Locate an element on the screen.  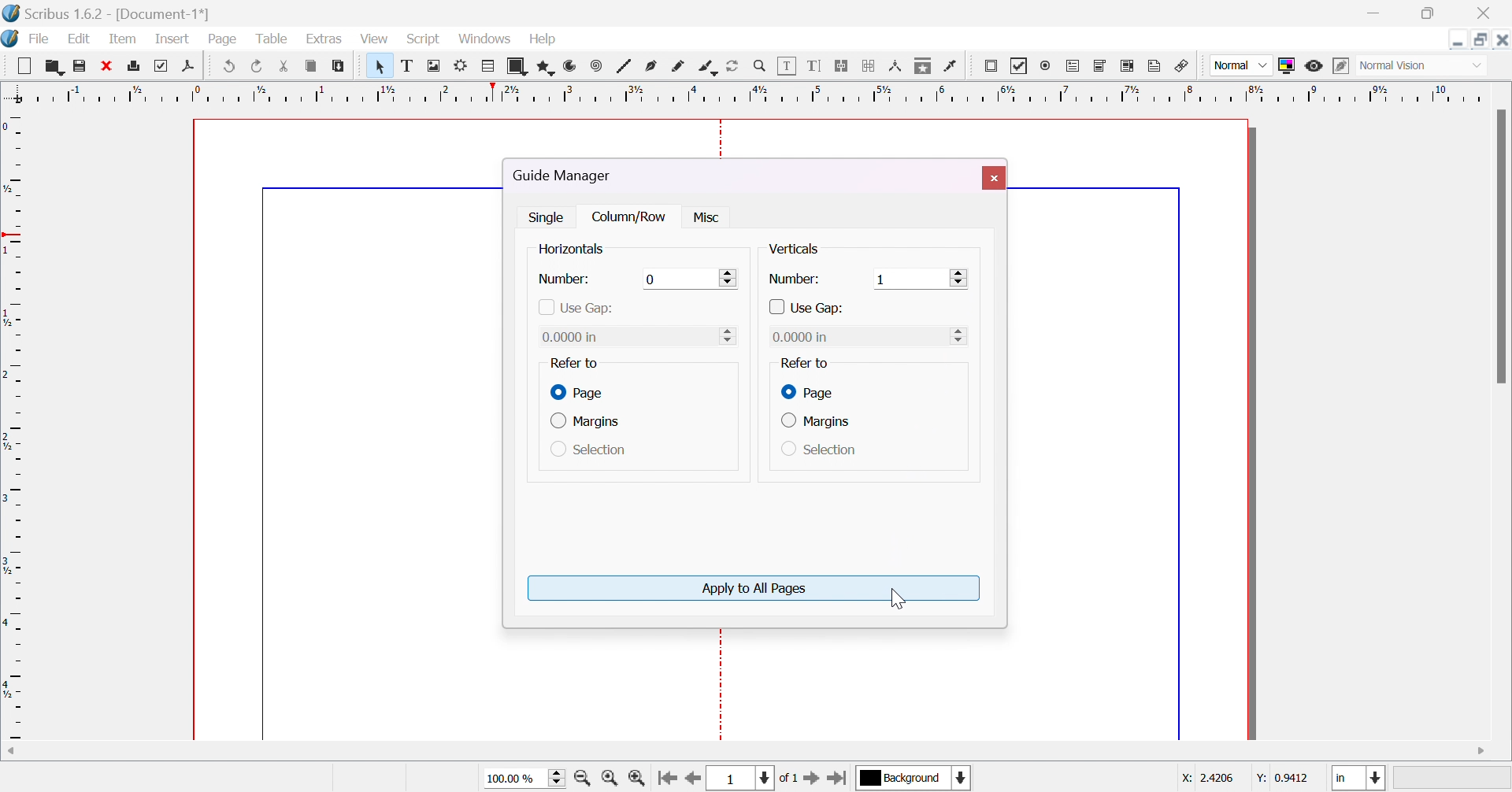
coordinates is located at coordinates (1236, 780).